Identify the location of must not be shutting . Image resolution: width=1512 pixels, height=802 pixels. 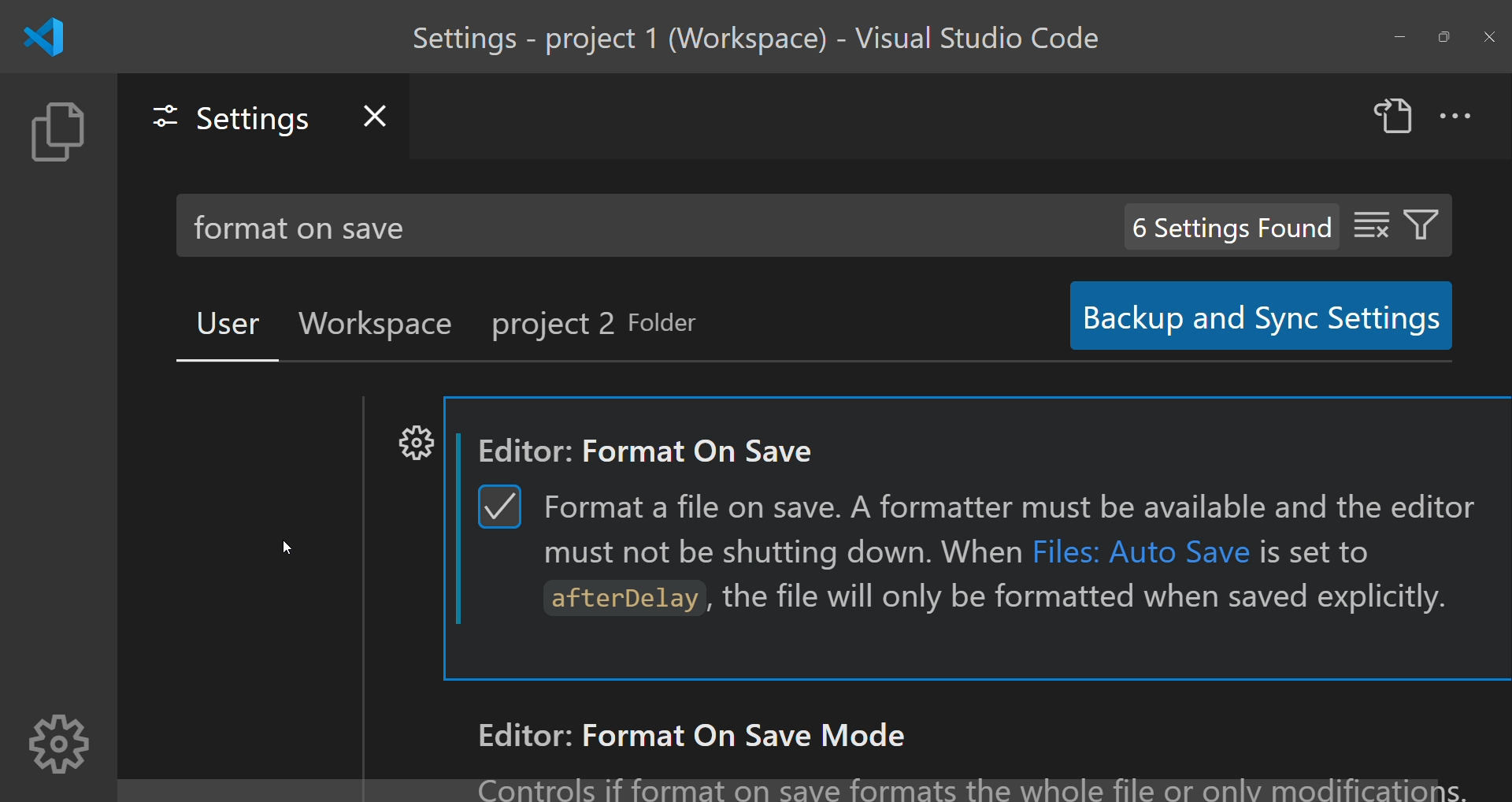
(684, 555).